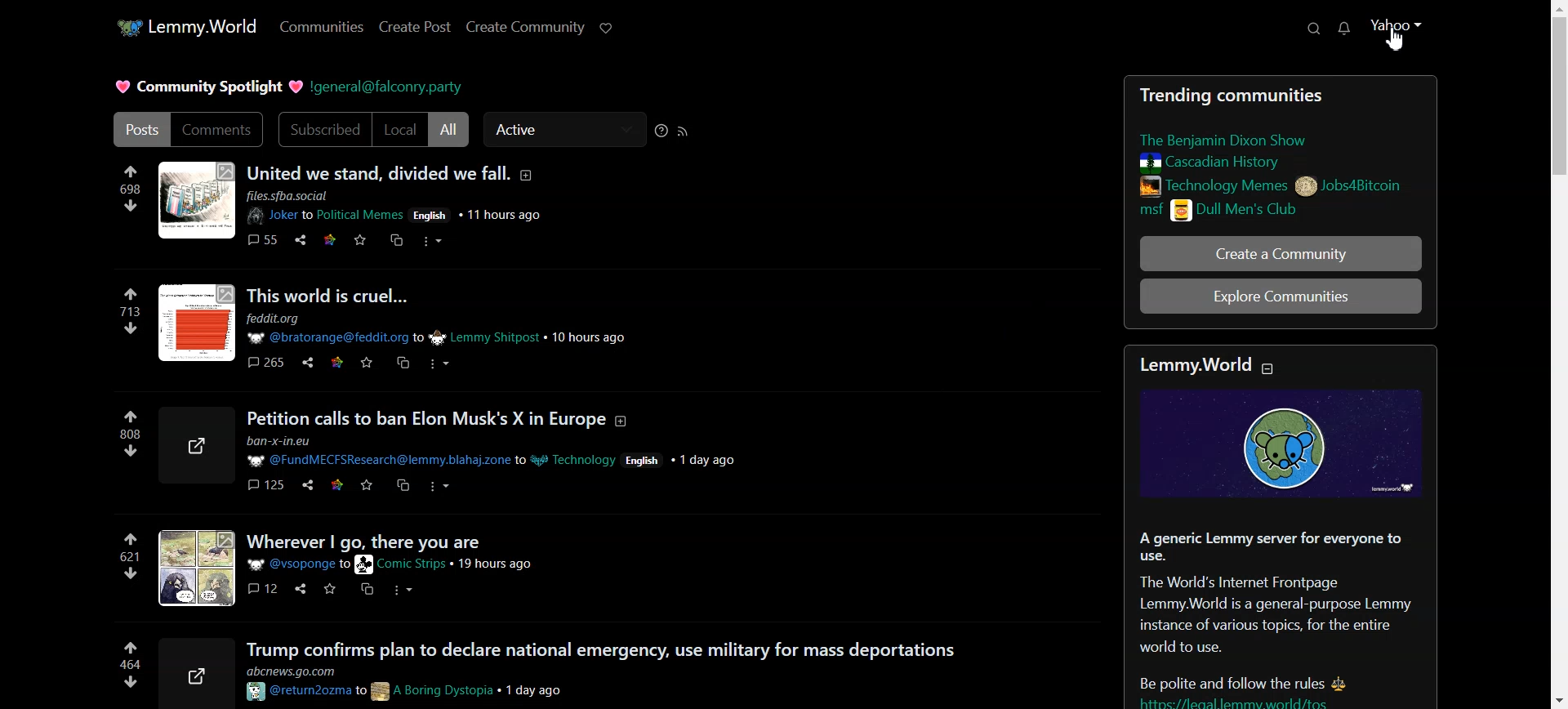 This screenshot has width=1568, height=709. Describe the element at coordinates (342, 565) in the screenshot. I see `user id` at that location.